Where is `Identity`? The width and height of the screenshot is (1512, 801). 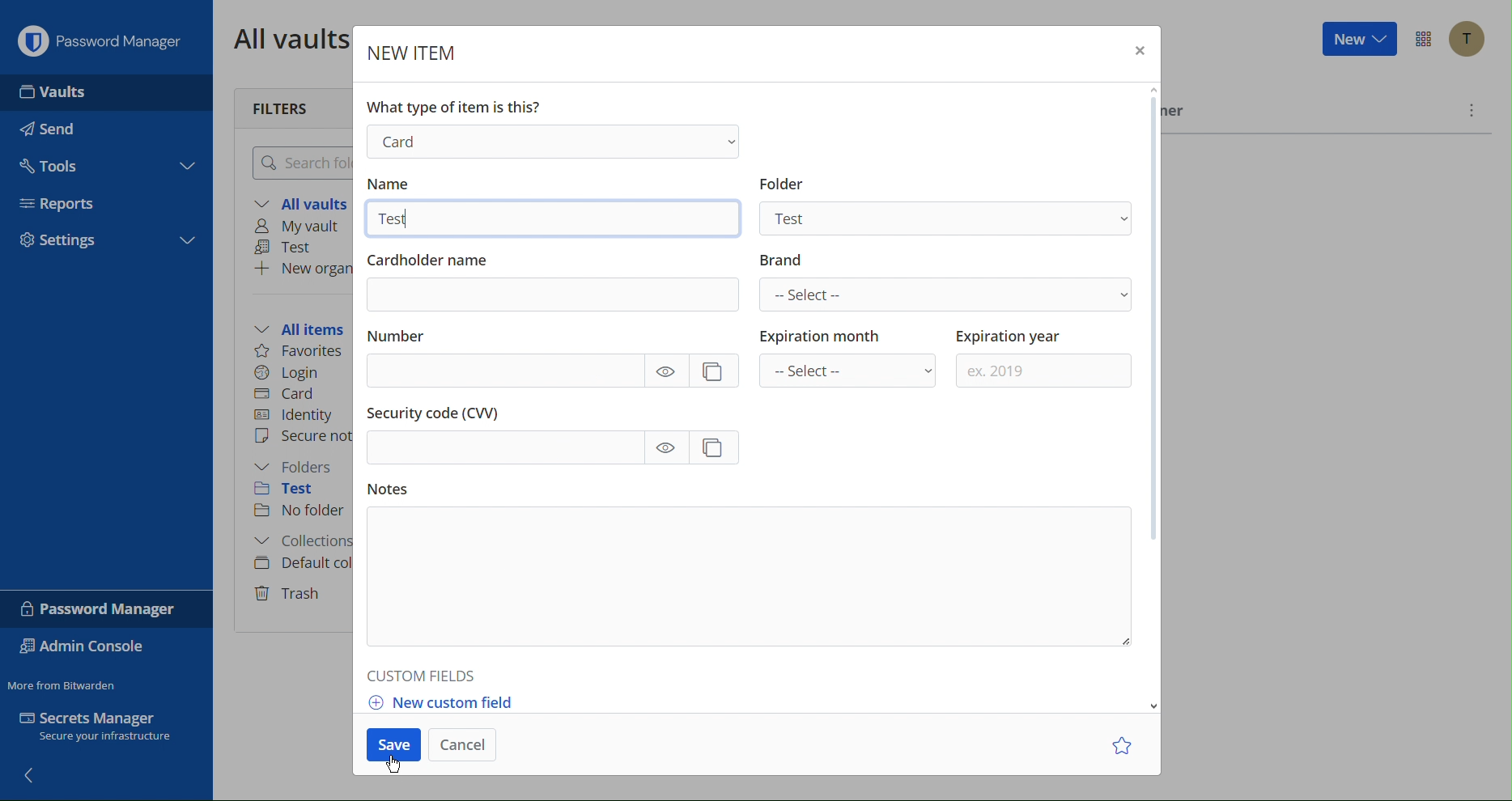 Identity is located at coordinates (295, 415).